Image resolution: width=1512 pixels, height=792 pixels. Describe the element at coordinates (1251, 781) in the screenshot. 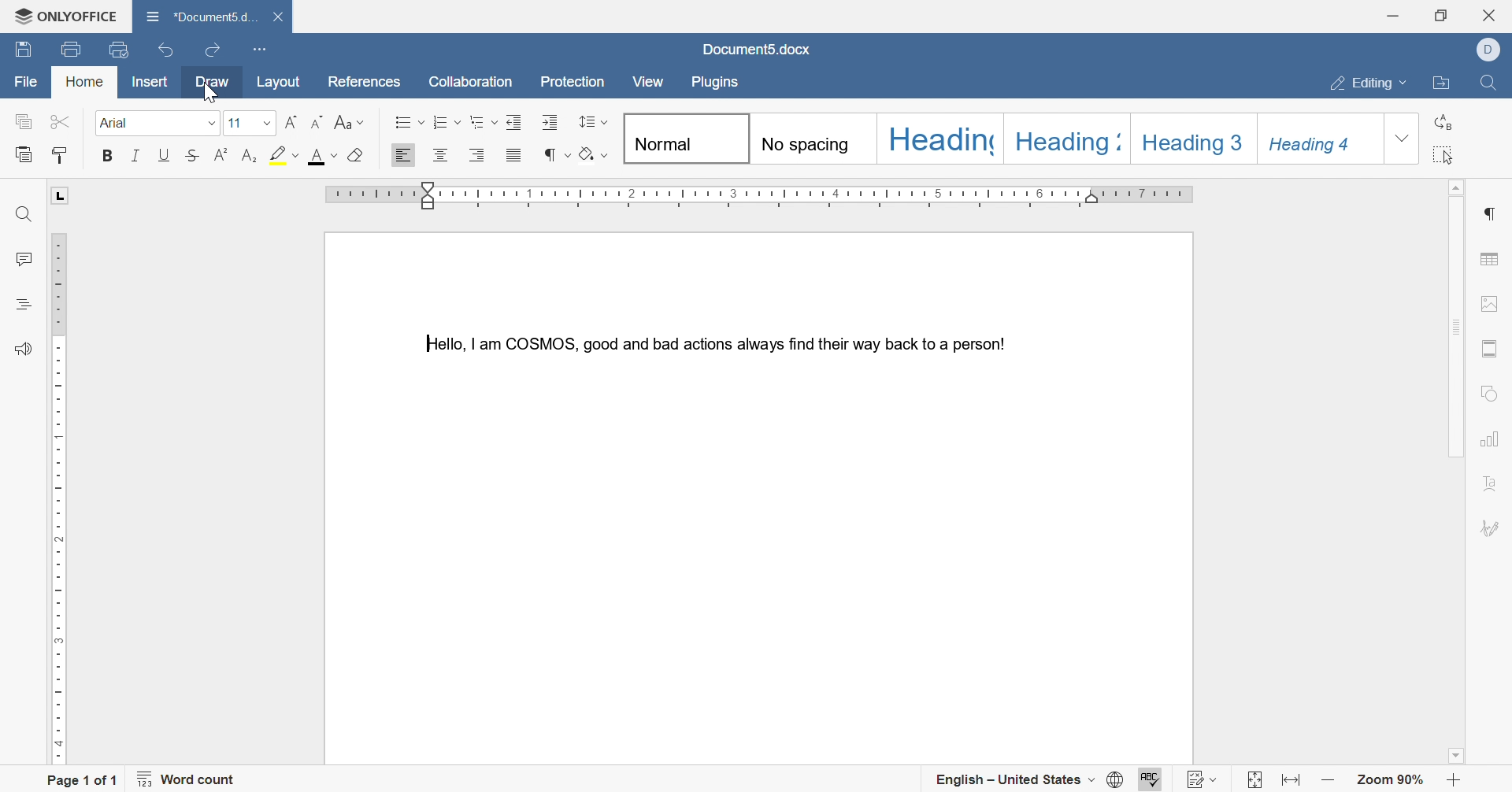

I see `fit to page` at that location.